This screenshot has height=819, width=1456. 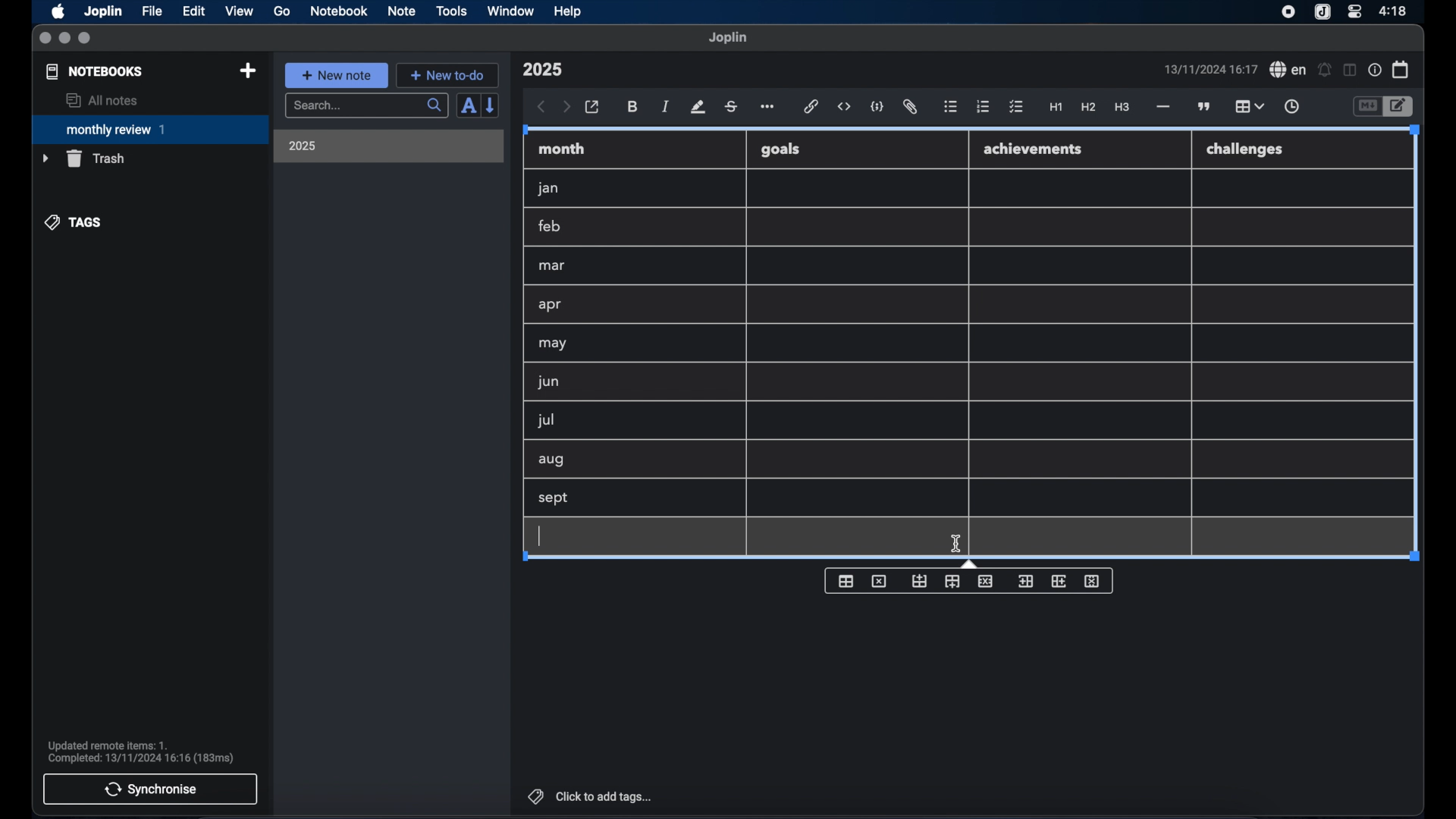 I want to click on toggle editor, so click(x=1367, y=107).